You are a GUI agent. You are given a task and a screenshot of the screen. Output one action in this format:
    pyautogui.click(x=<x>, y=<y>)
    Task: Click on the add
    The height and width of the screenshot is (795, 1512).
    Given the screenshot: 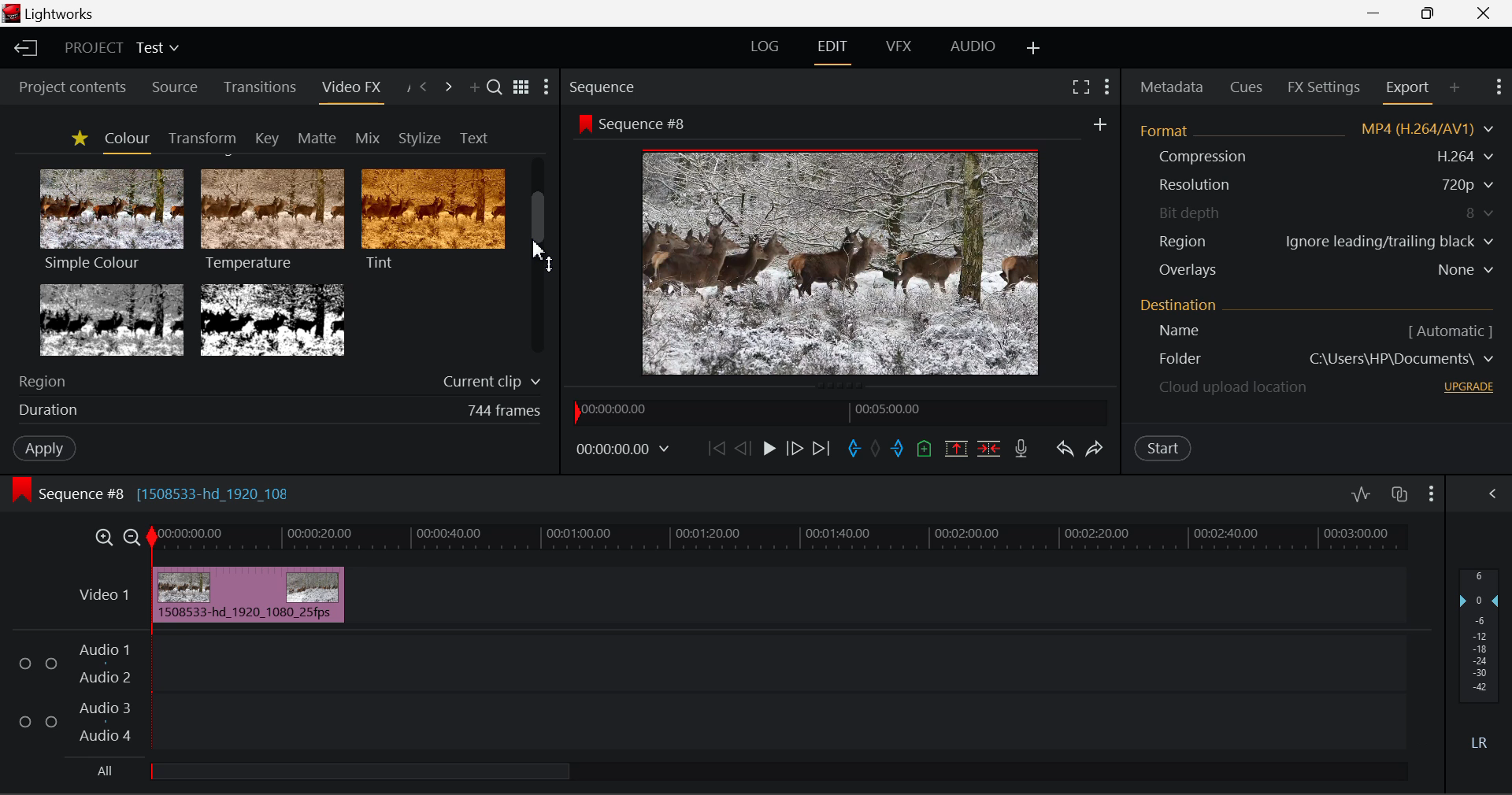 What is the action you would take?
    pyautogui.click(x=1099, y=124)
    